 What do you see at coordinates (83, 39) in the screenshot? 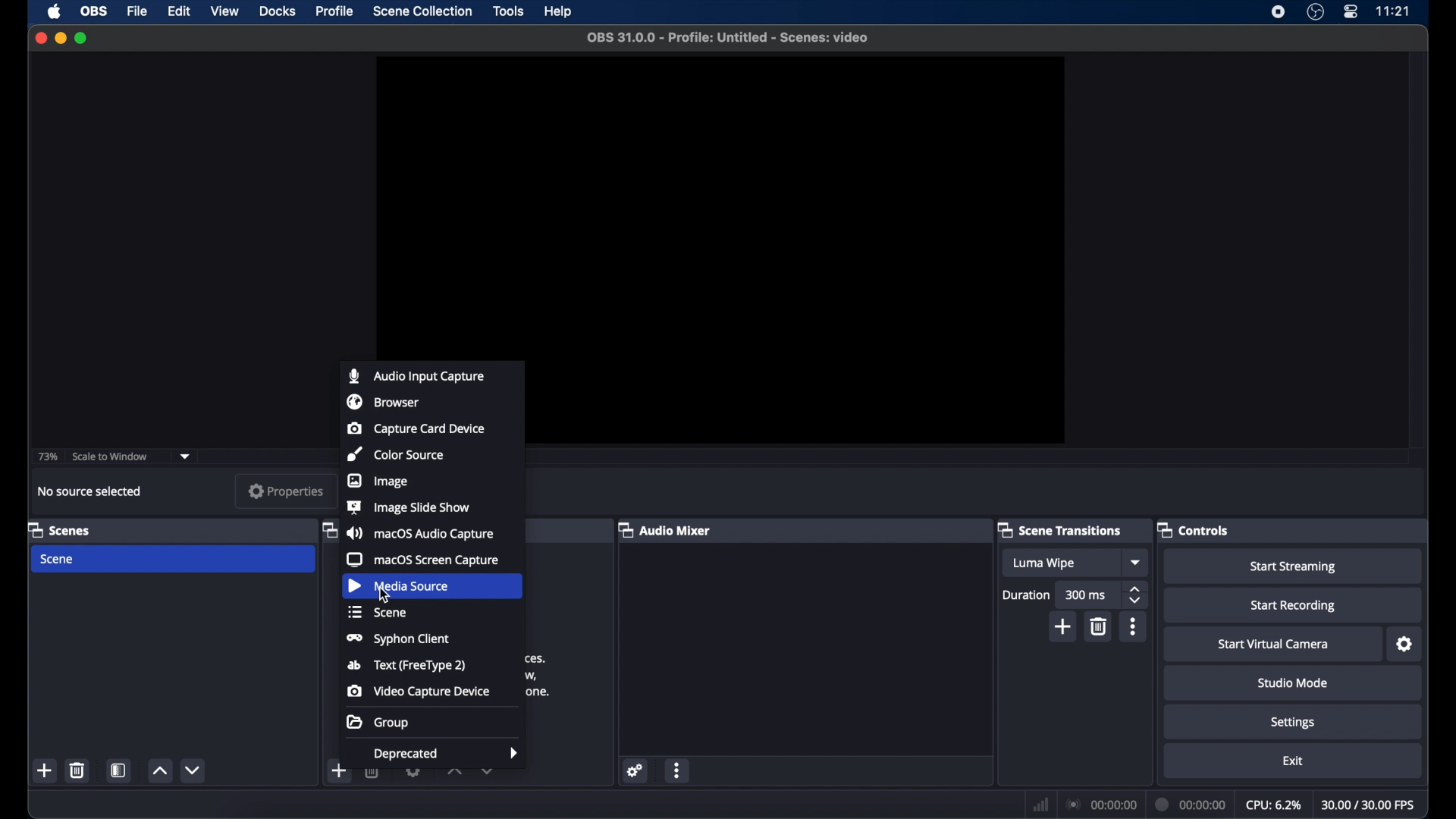
I see `maximize` at bounding box center [83, 39].